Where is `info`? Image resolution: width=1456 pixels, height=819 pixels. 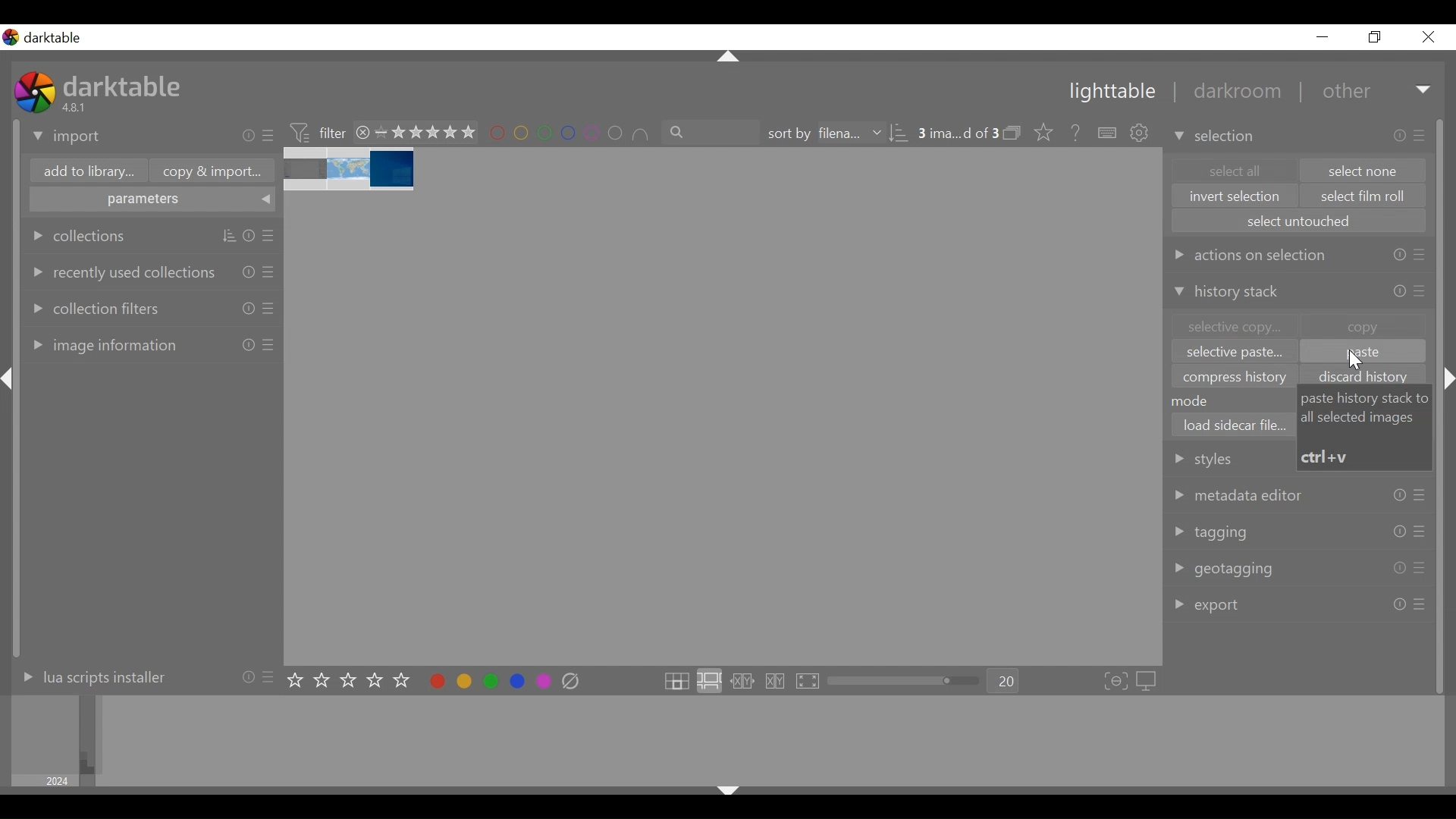 info is located at coordinates (1401, 290).